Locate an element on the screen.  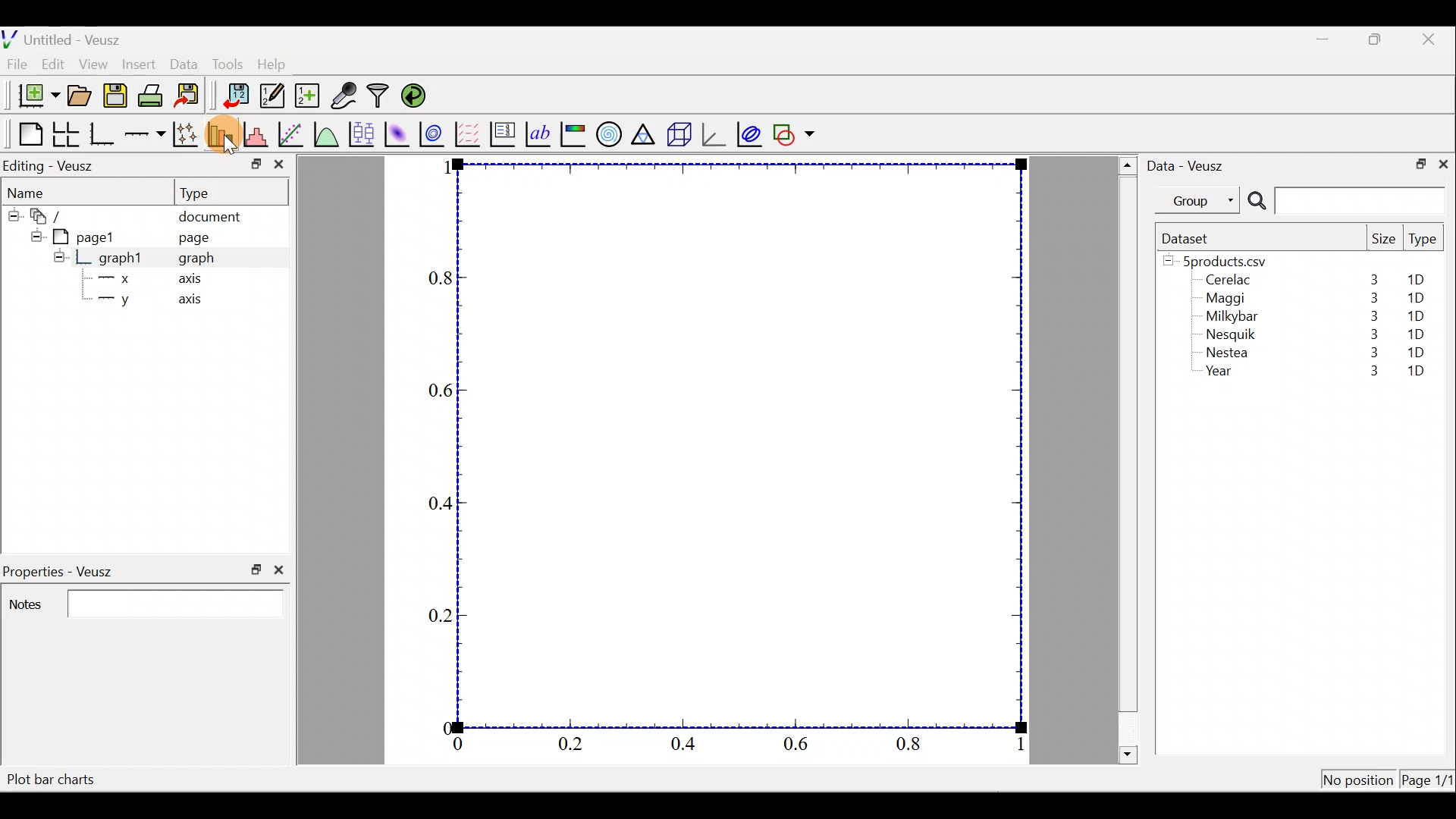
restore down is located at coordinates (1377, 39).